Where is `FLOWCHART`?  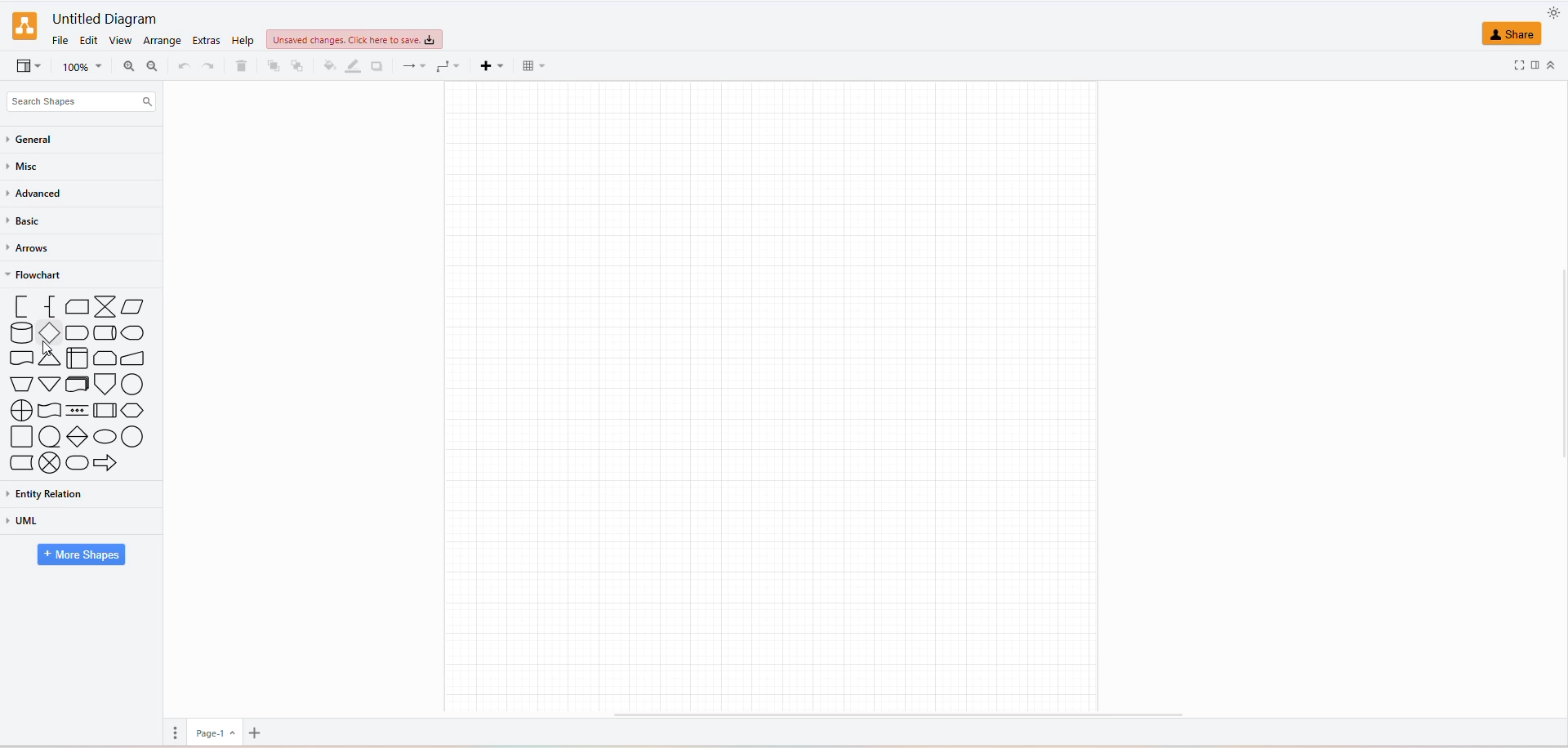
FLOWCHART is located at coordinates (38, 277).